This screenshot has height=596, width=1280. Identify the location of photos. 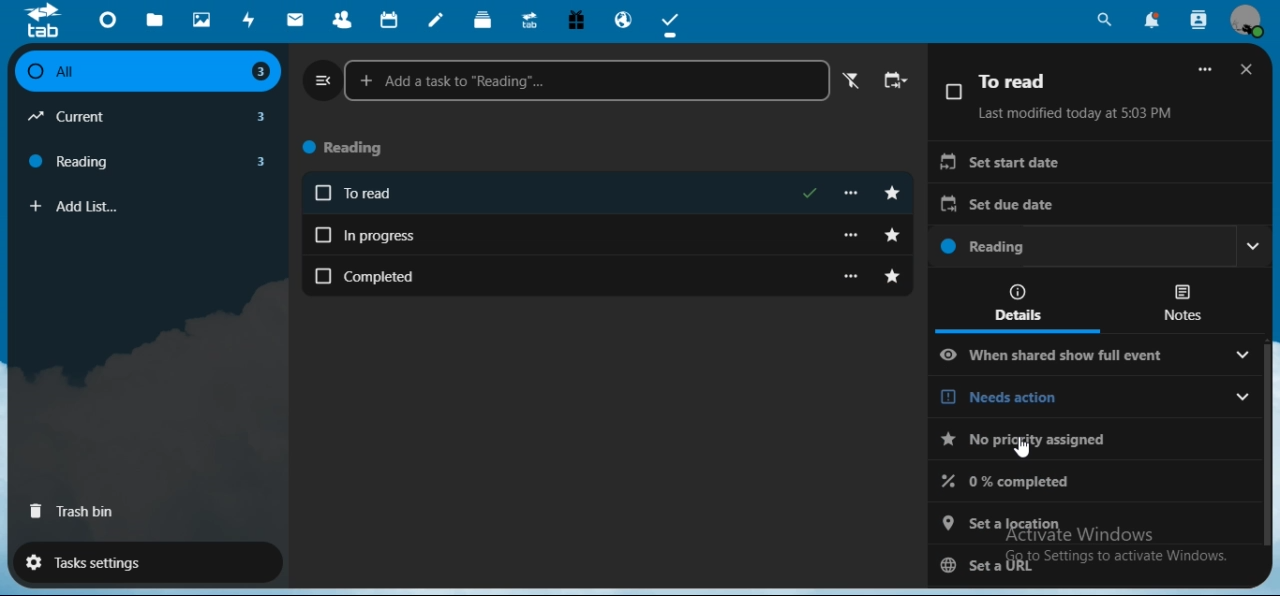
(202, 19).